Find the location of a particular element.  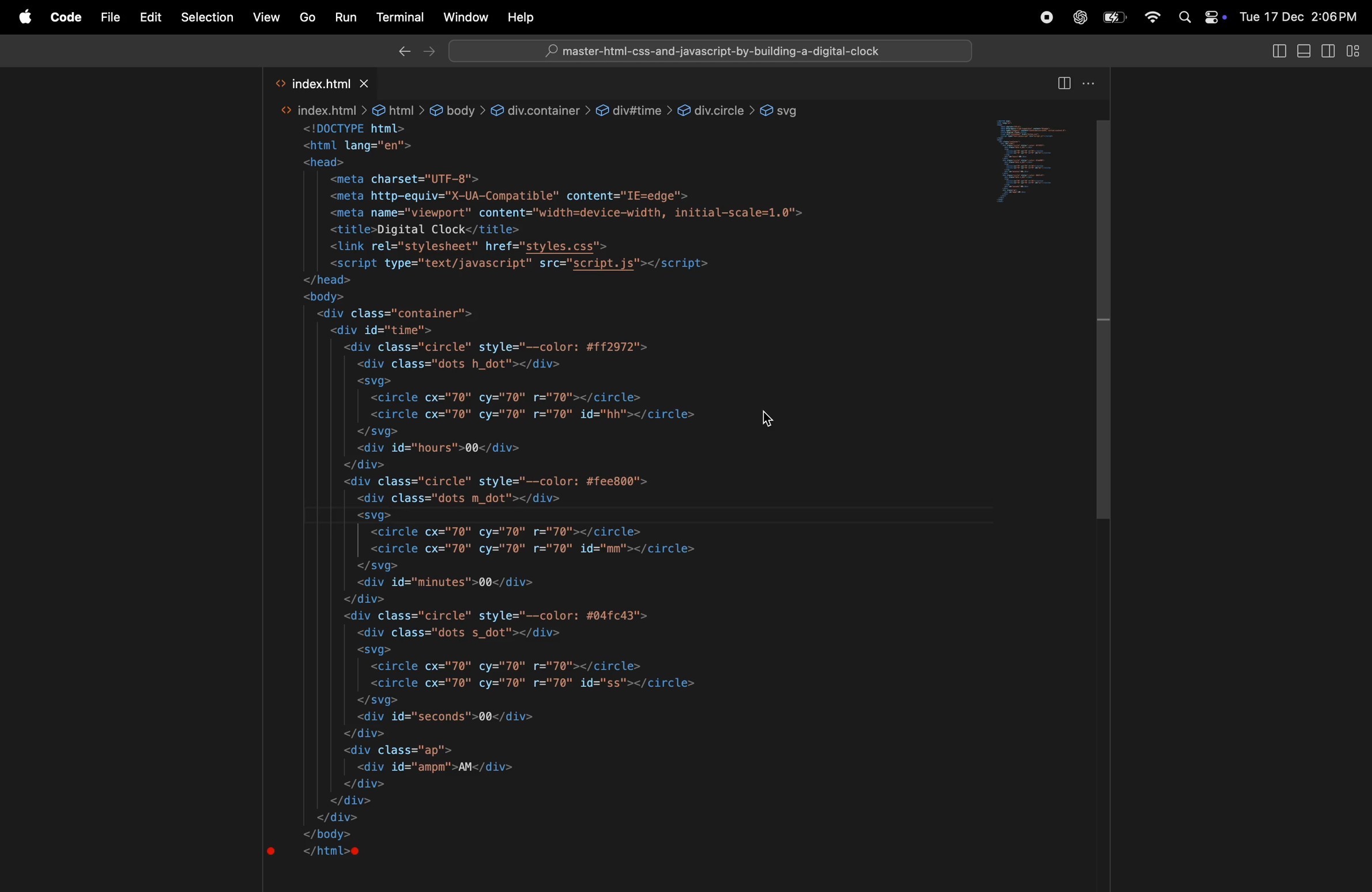

Scroll bar is located at coordinates (1109, 318).